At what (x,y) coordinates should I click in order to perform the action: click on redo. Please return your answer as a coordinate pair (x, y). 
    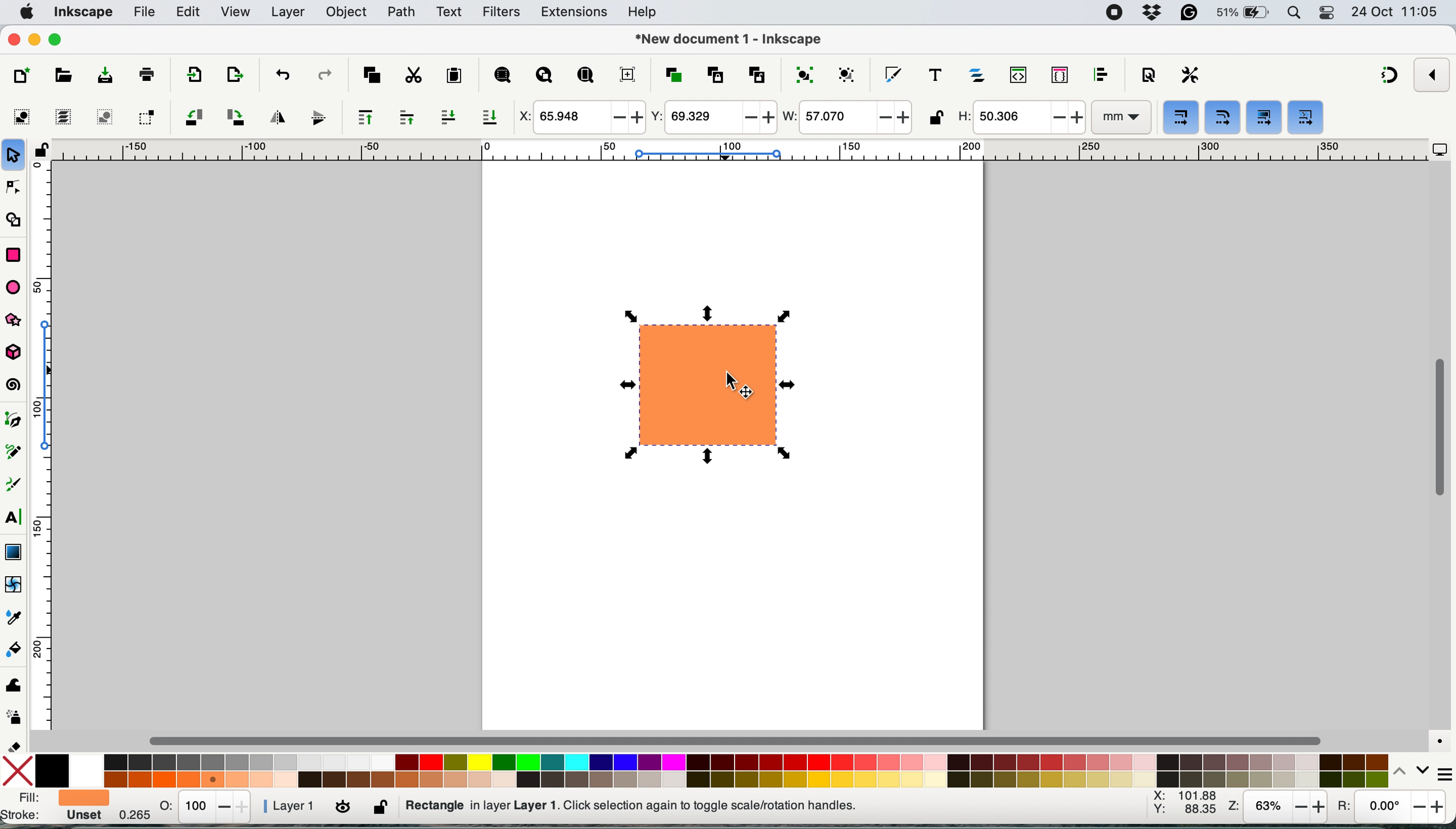
    Looking at the image, I should click on (324, 74).